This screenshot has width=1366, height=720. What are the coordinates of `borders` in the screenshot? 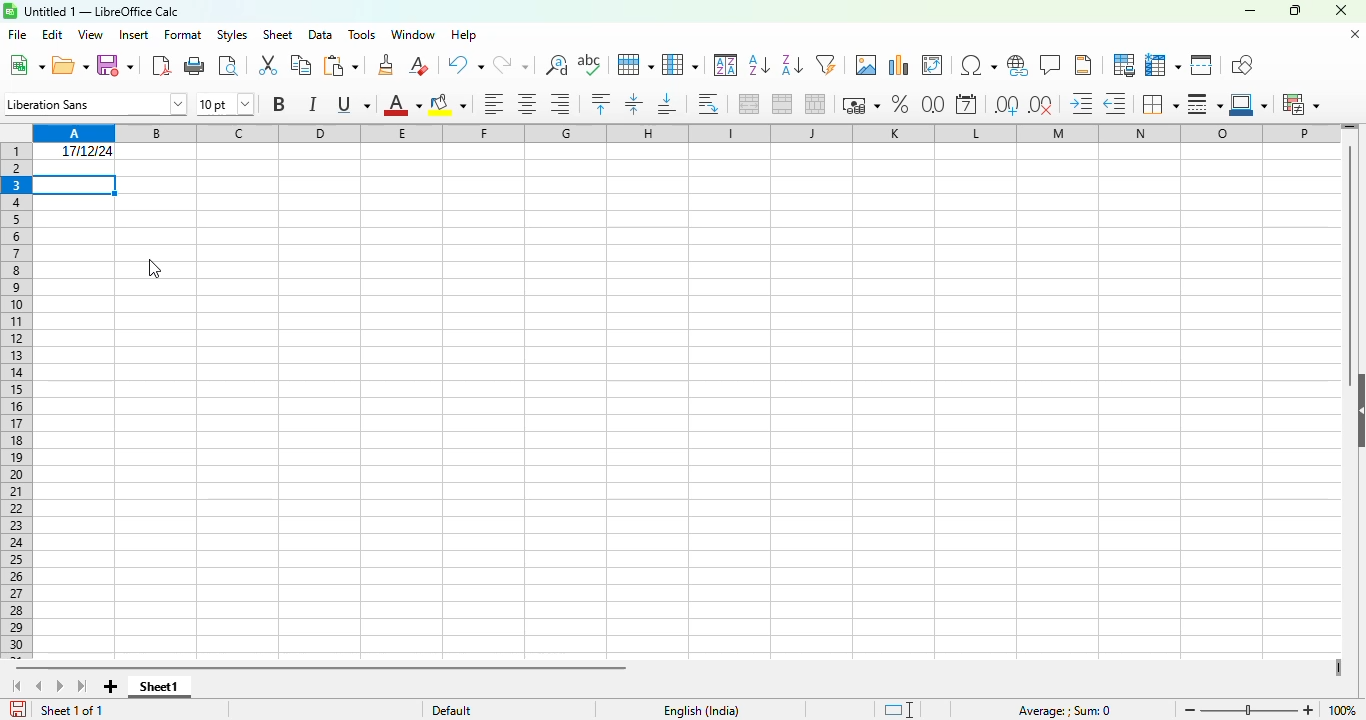 It's located at (1159, 104).